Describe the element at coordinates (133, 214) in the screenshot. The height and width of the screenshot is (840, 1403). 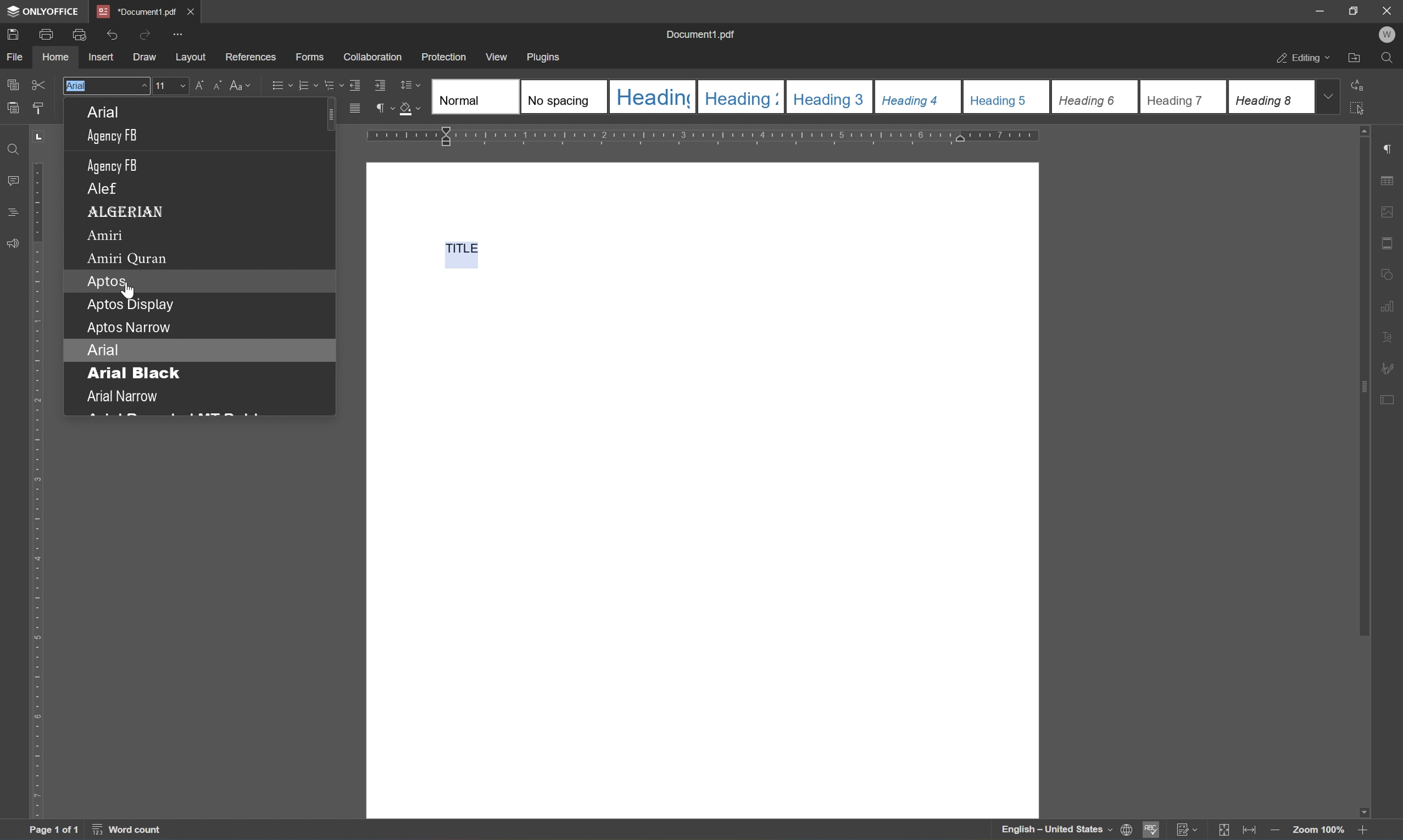
I see `ALGERIAN` at that location.